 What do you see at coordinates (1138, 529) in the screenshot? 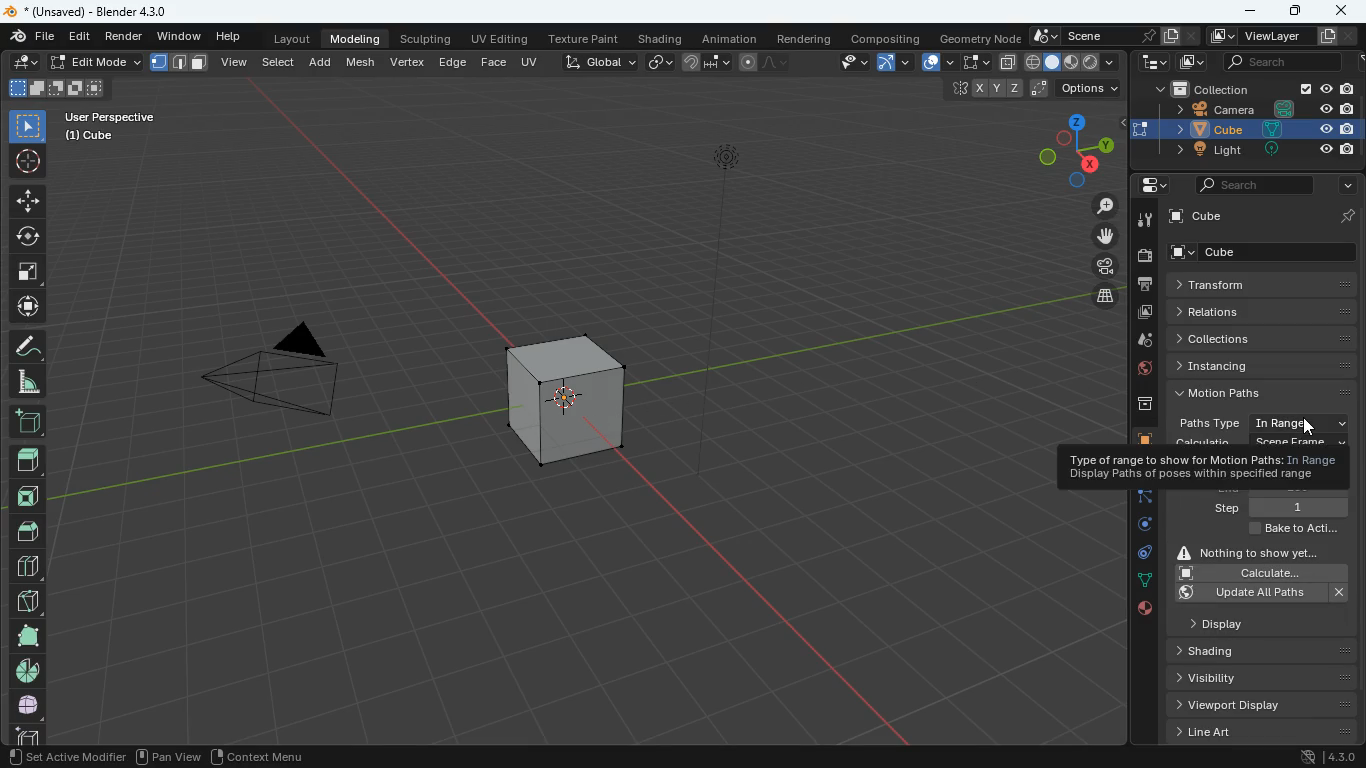
I see `rotate` at bounding box center [1138, 529].